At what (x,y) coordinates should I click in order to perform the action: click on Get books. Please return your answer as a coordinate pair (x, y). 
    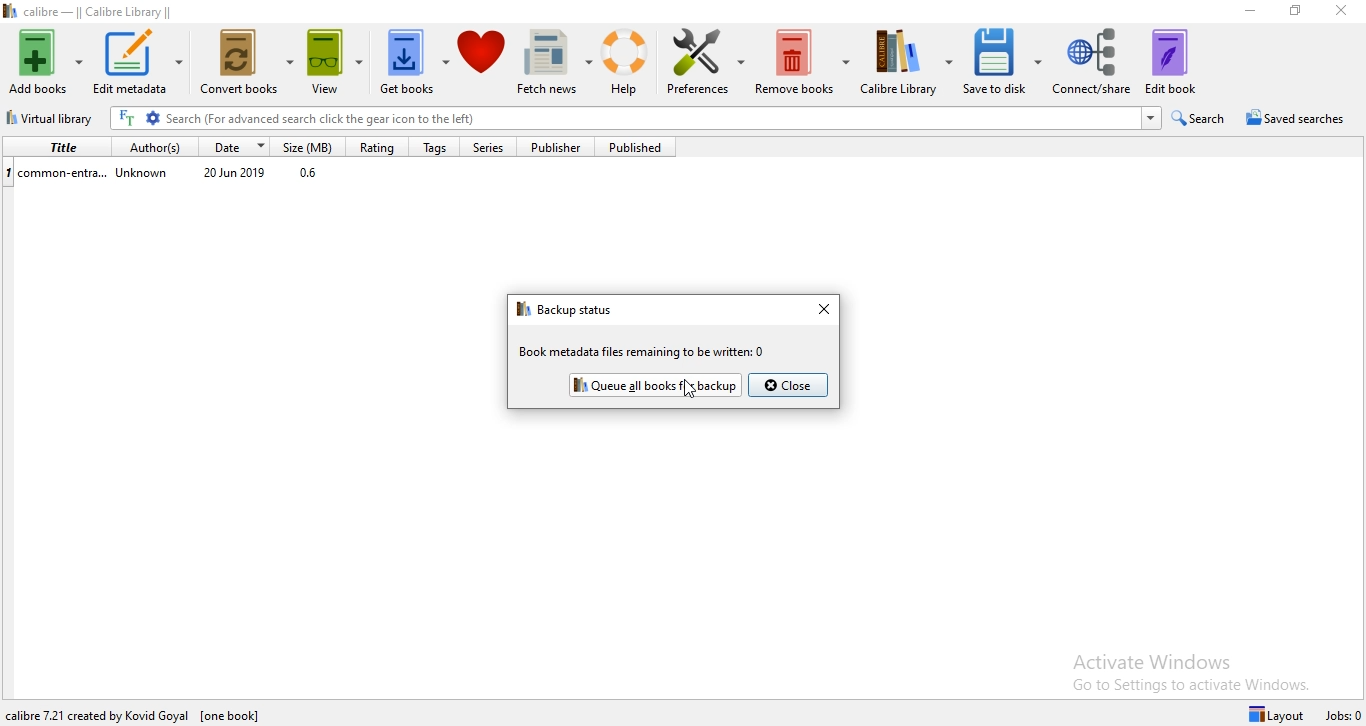
    Looking at the image, I should click on (414, 65).